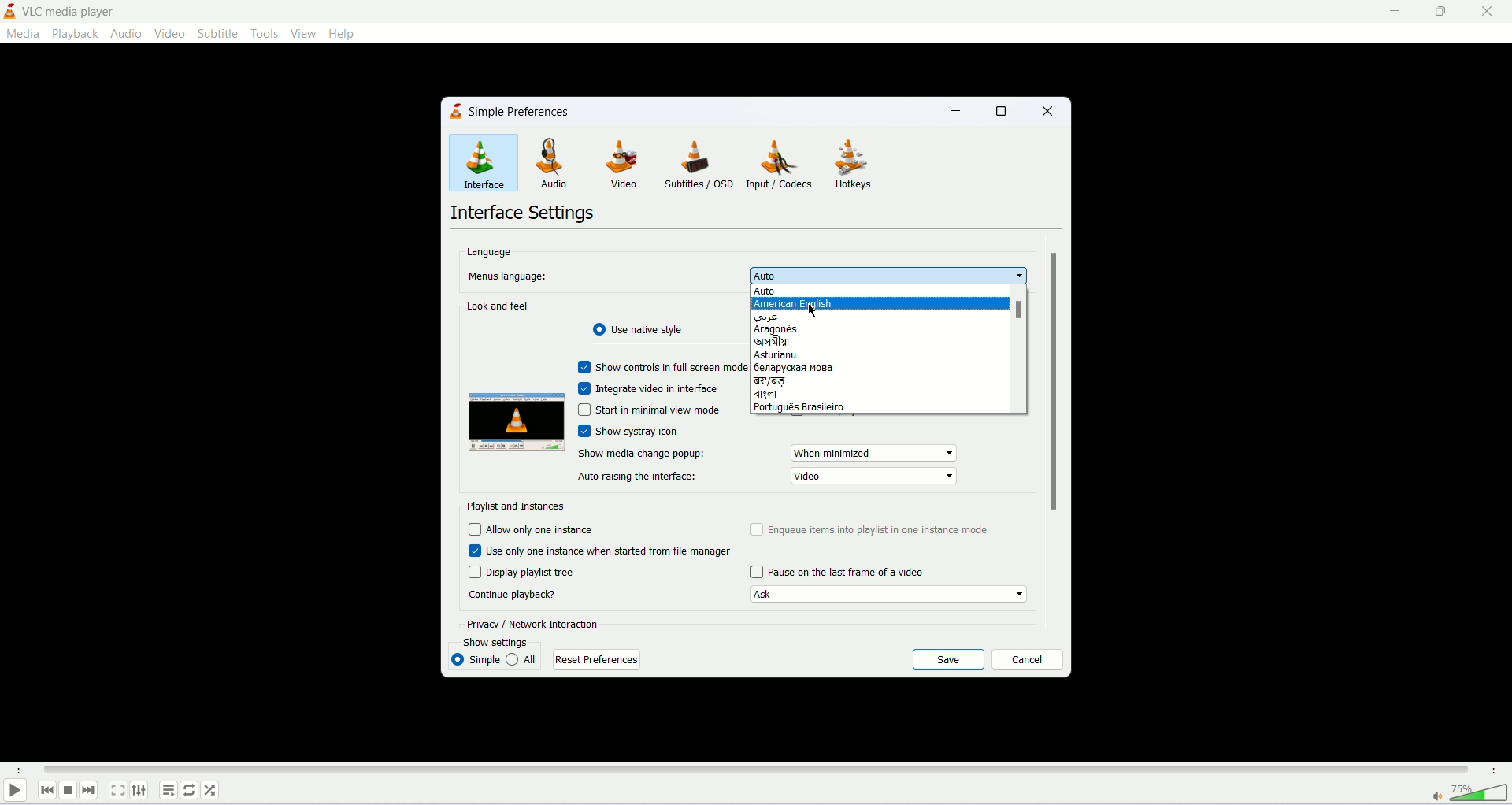  I want to click on enqueue items into playlist in one instance mode, so click(871, 529).